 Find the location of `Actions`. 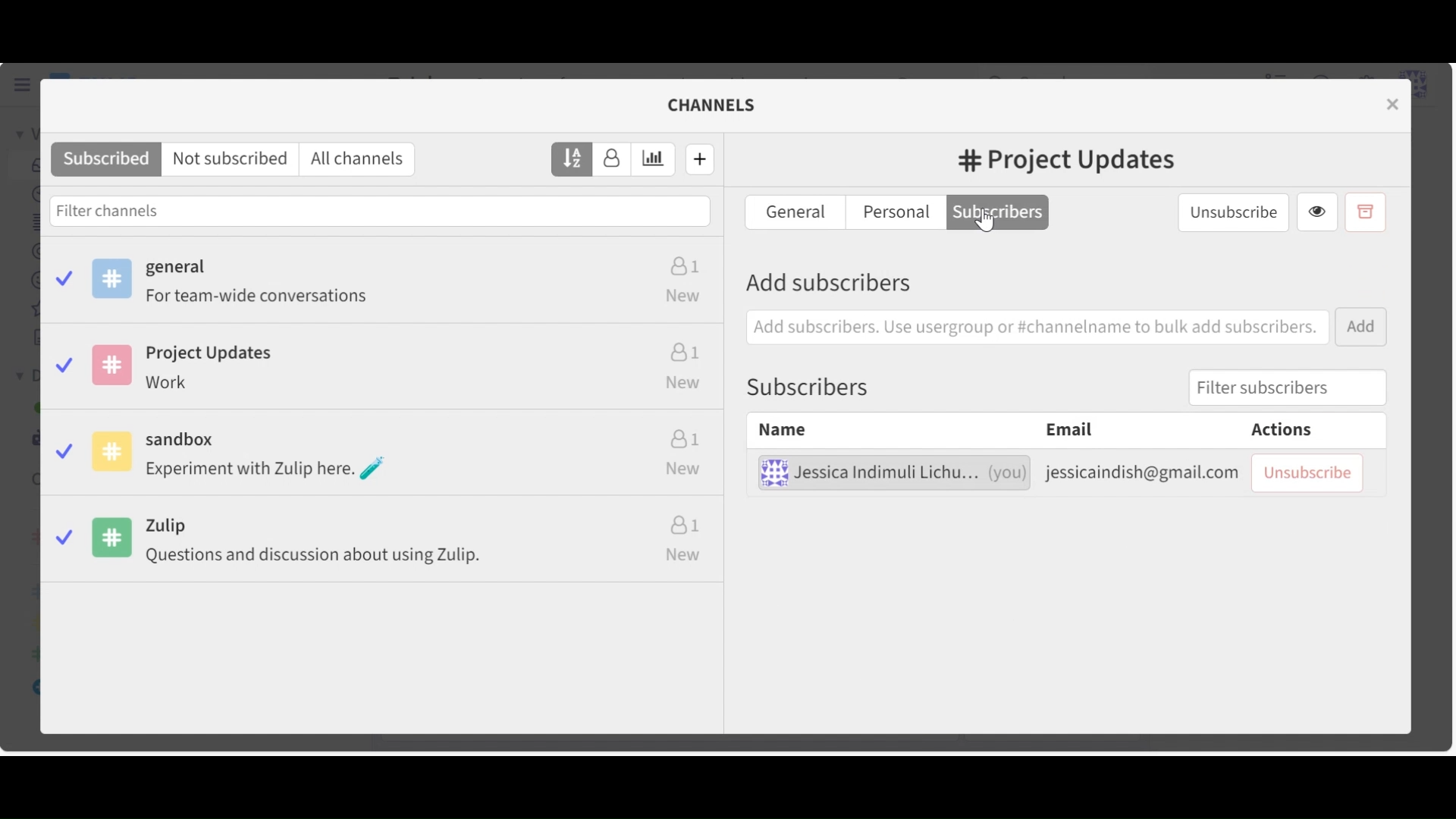

Actions is located at coordinates (1311, 431).